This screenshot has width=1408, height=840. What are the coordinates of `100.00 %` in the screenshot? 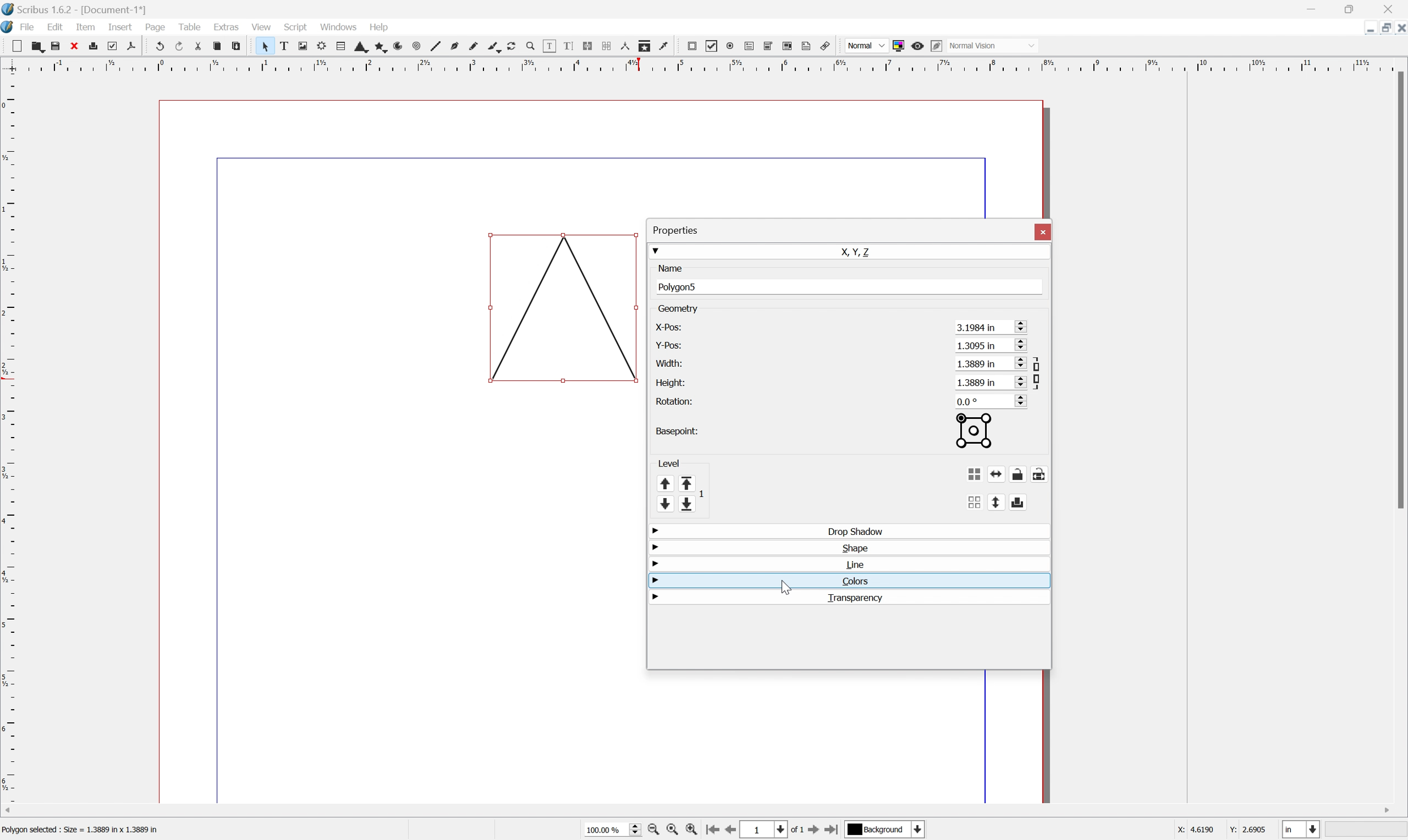 It's located at (606, 830).